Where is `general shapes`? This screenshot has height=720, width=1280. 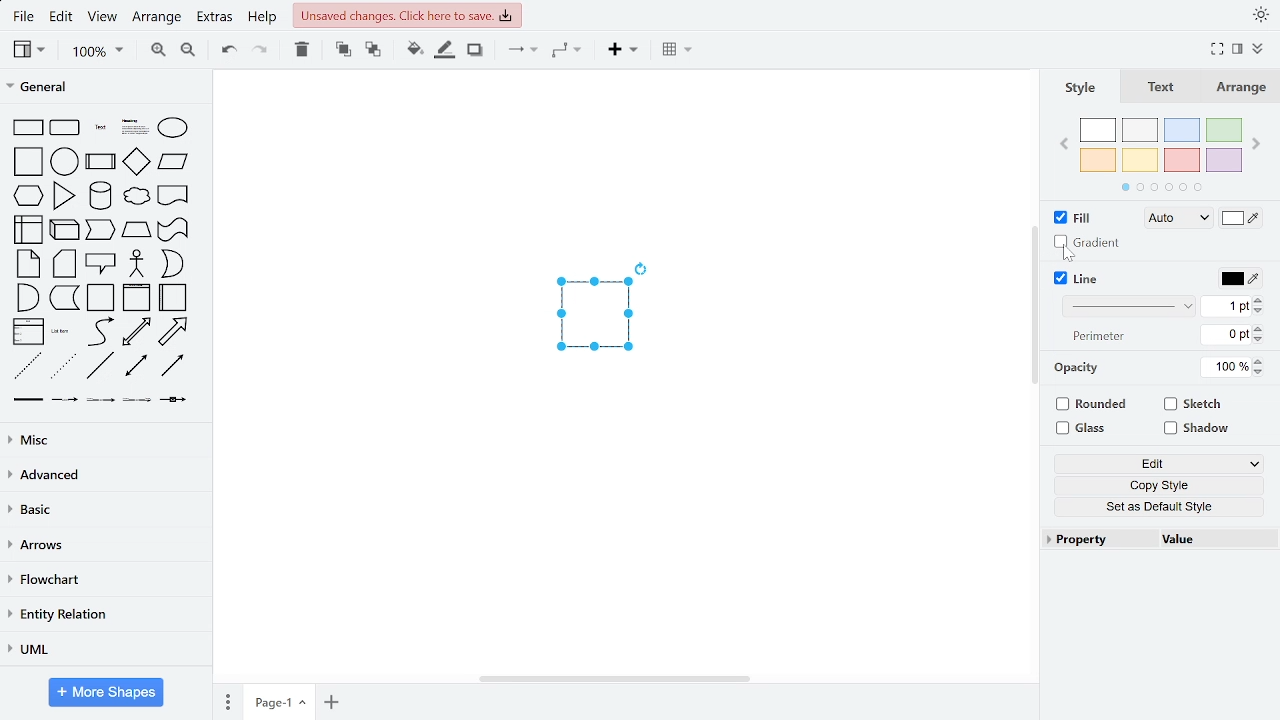 general shapes is located at coordinates (27, 159).